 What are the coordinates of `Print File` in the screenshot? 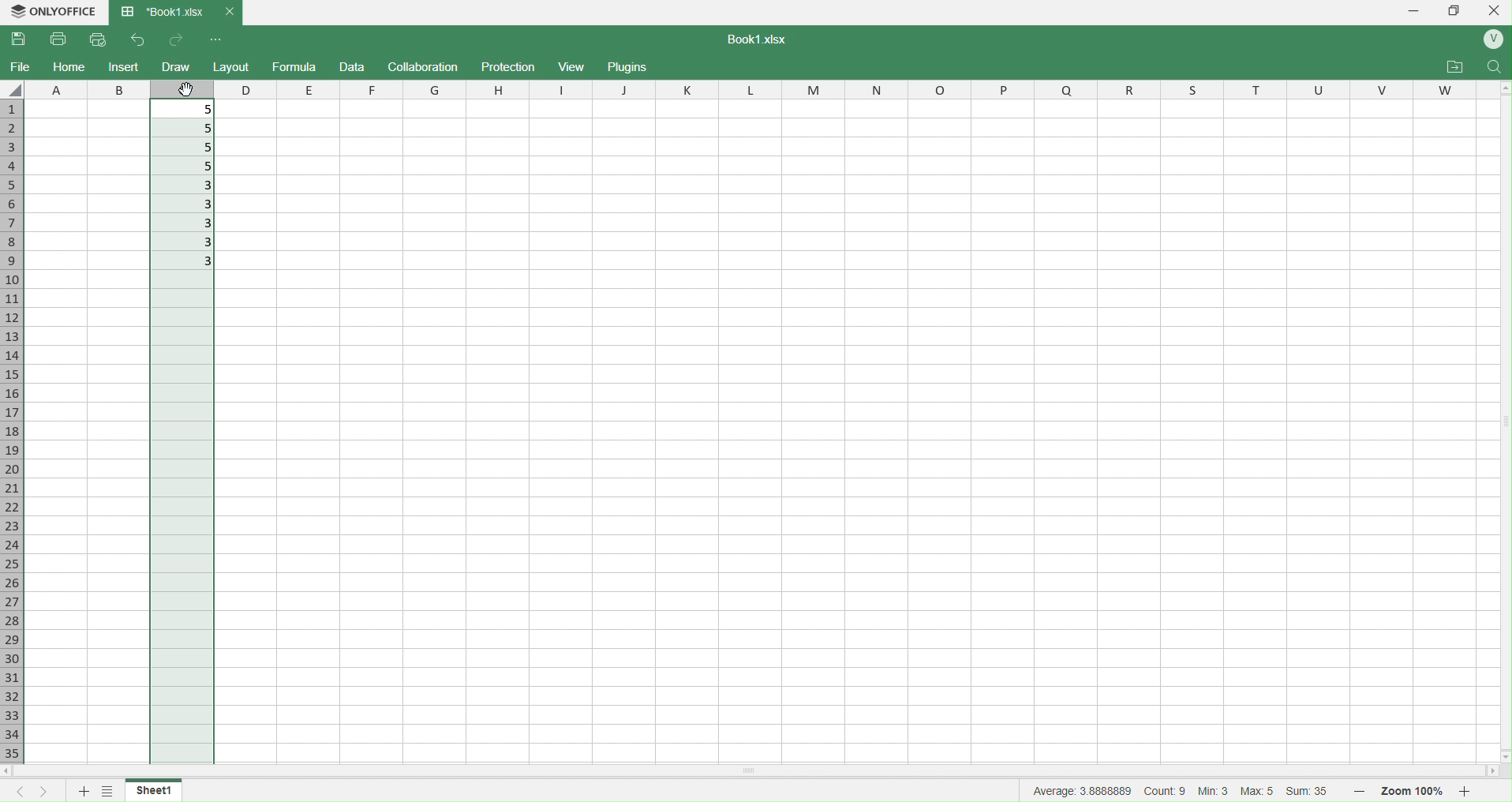 It's located at (61, 40).